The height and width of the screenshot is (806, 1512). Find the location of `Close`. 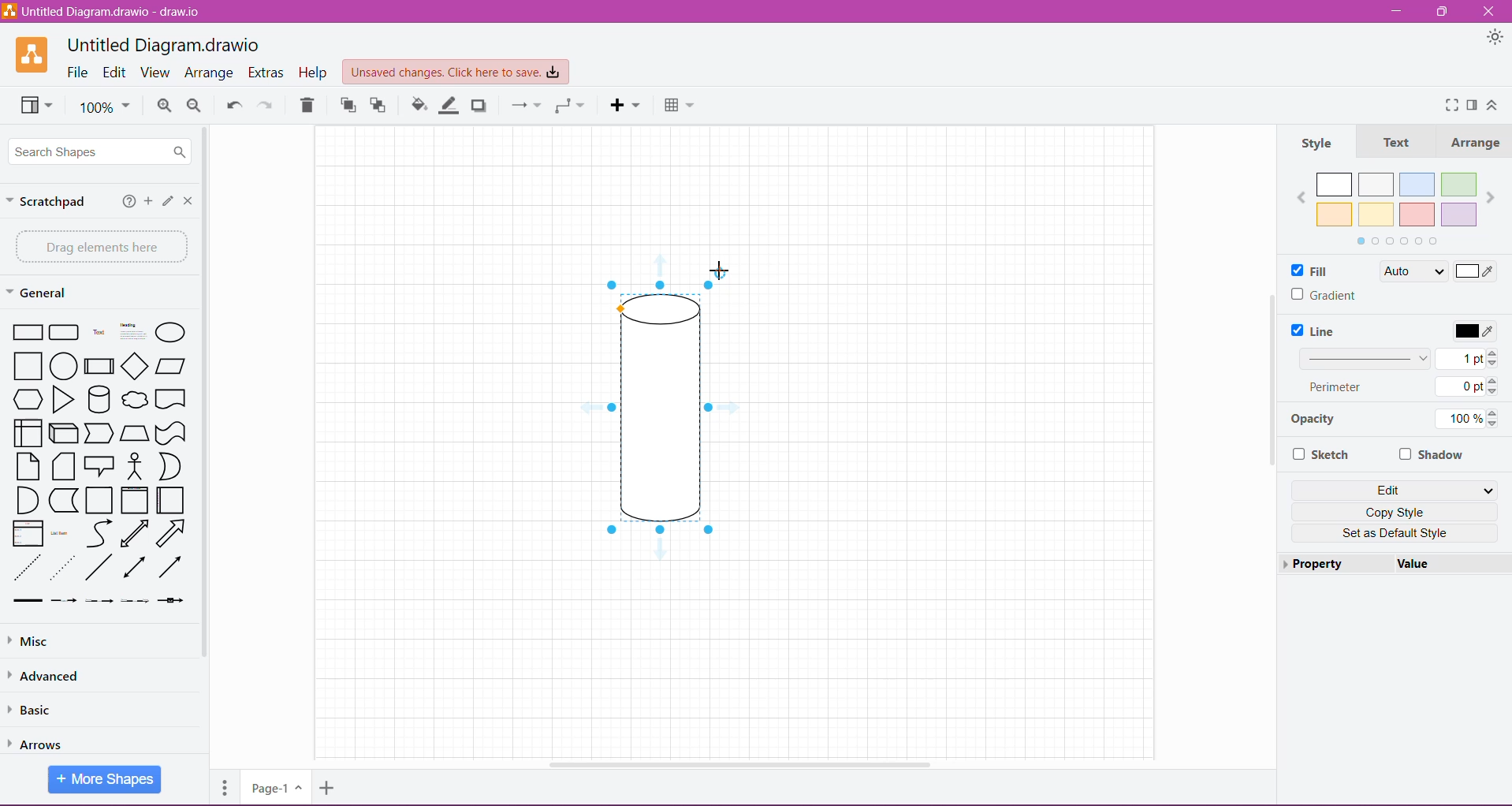

Close is located at coordinates (1492, 12).